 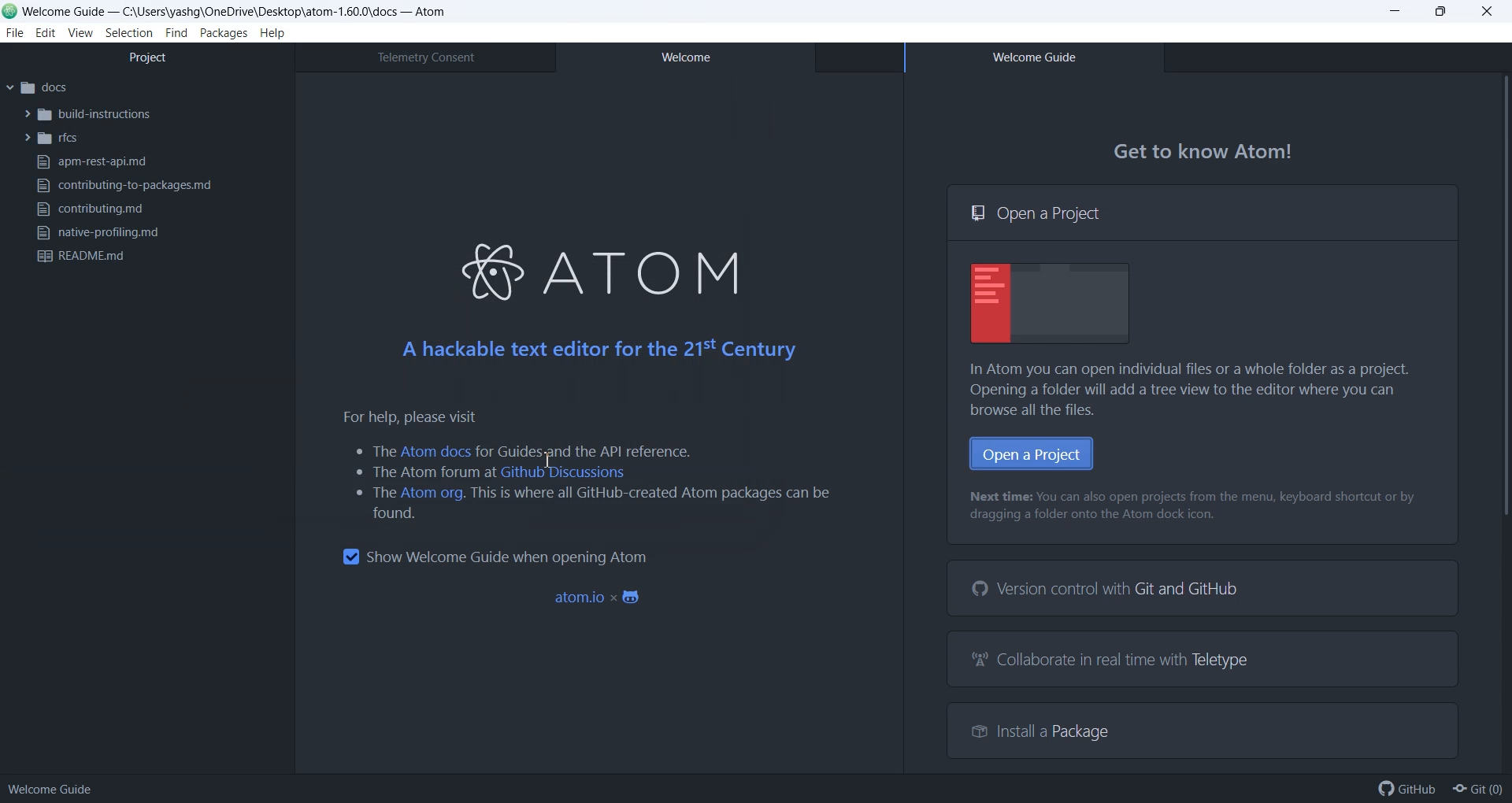 I want to click on Next time: You can also open projects from the menu, keyboard shortcut or by
dragging a folder onto the Atom dock icon., so click(x=1195, y=507).